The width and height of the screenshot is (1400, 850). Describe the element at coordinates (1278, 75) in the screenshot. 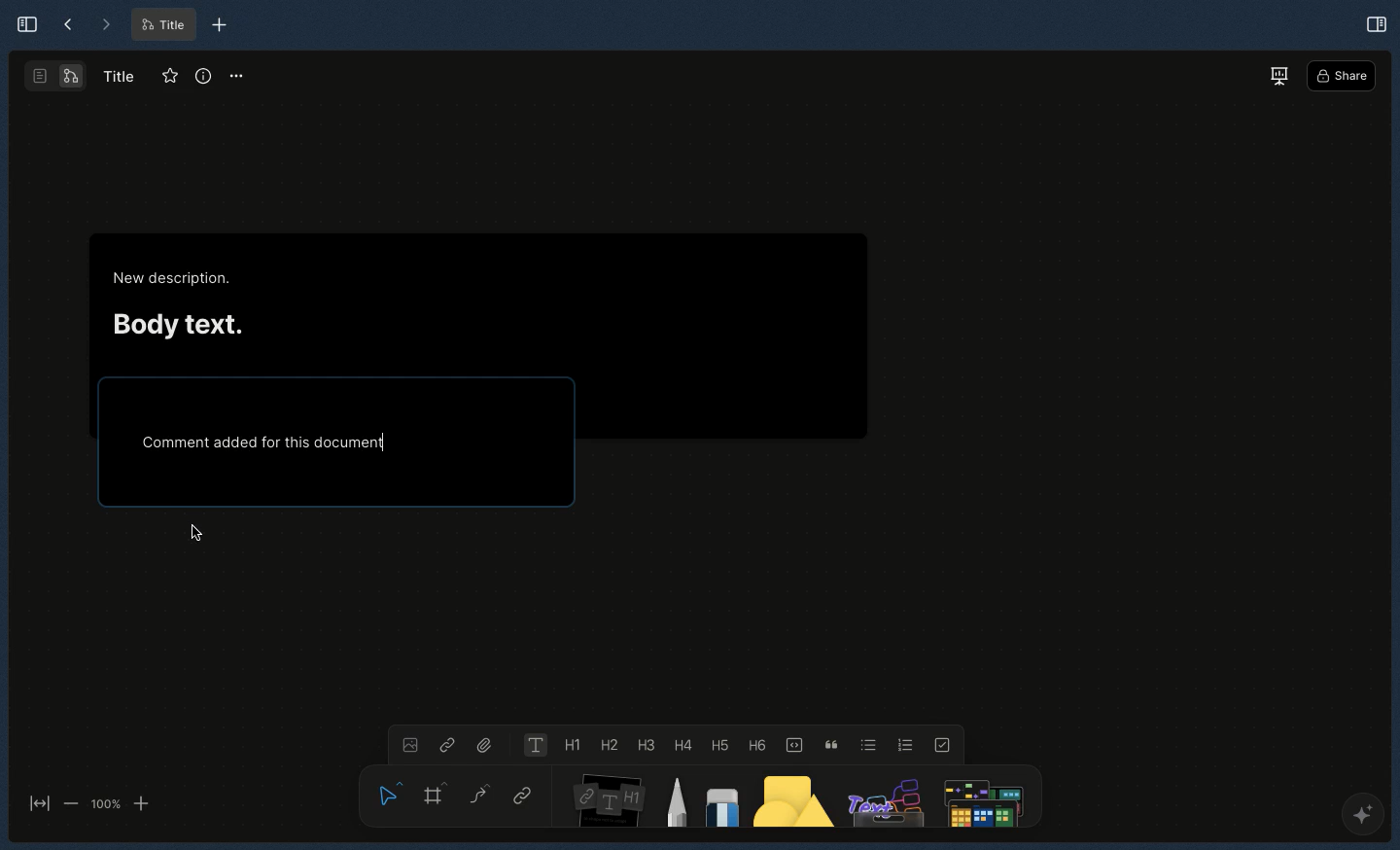

I see `Present` at that location.